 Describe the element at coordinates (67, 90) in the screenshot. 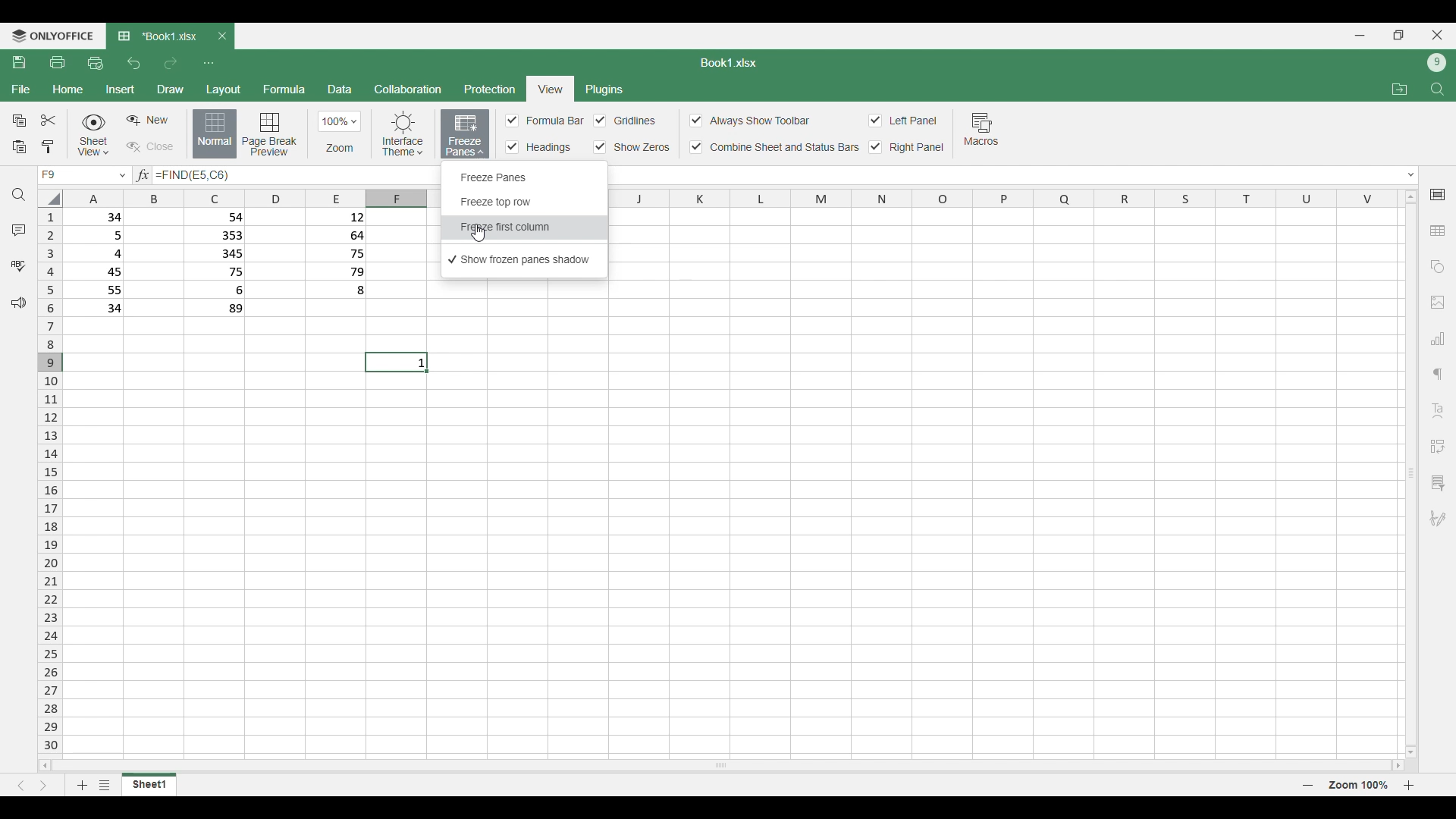

I see `Home menu, current selection` at that location.